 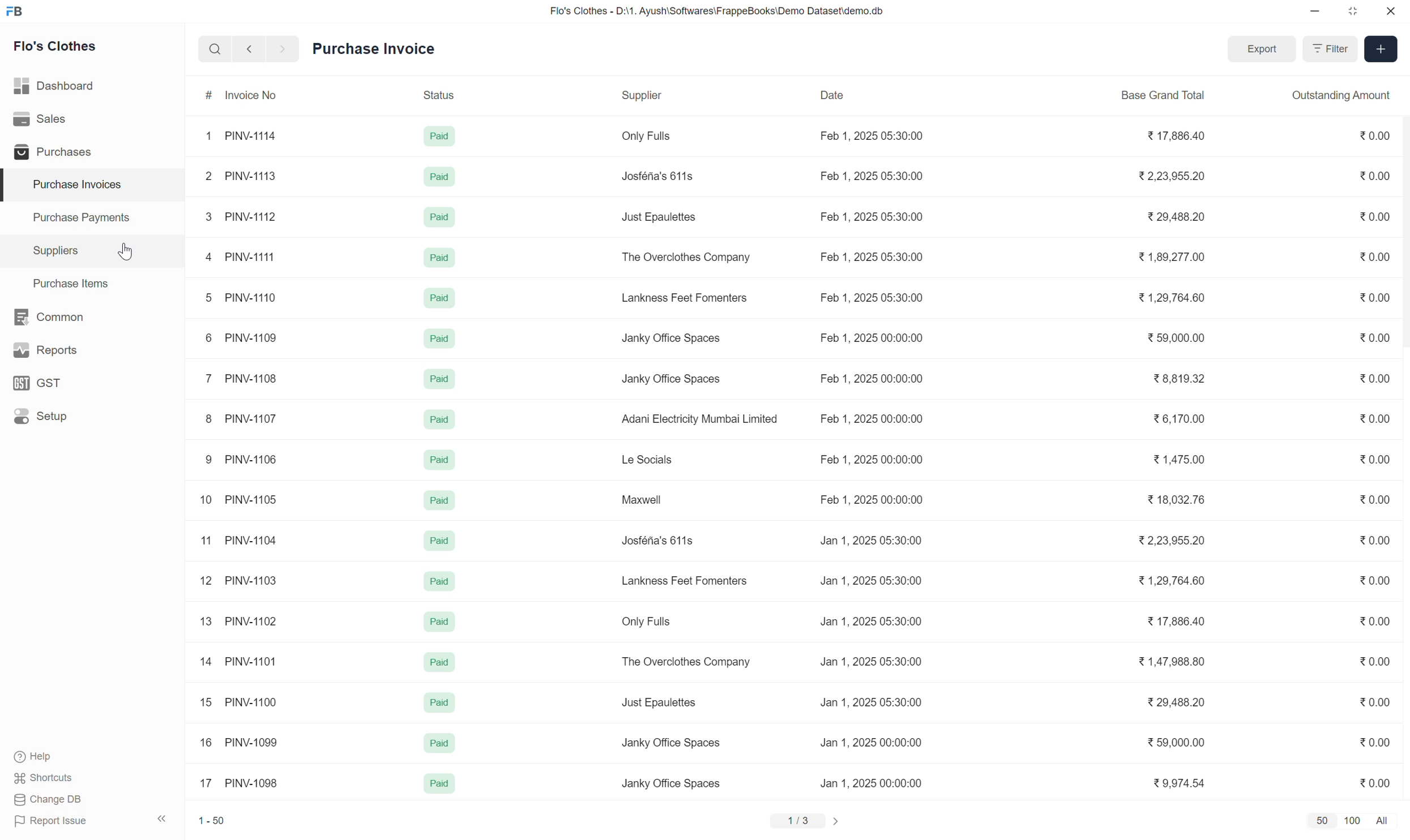 What do you see at coordinates (439, 177) in the screenshot?
I see `Paid` at bounding box center [439, 177].